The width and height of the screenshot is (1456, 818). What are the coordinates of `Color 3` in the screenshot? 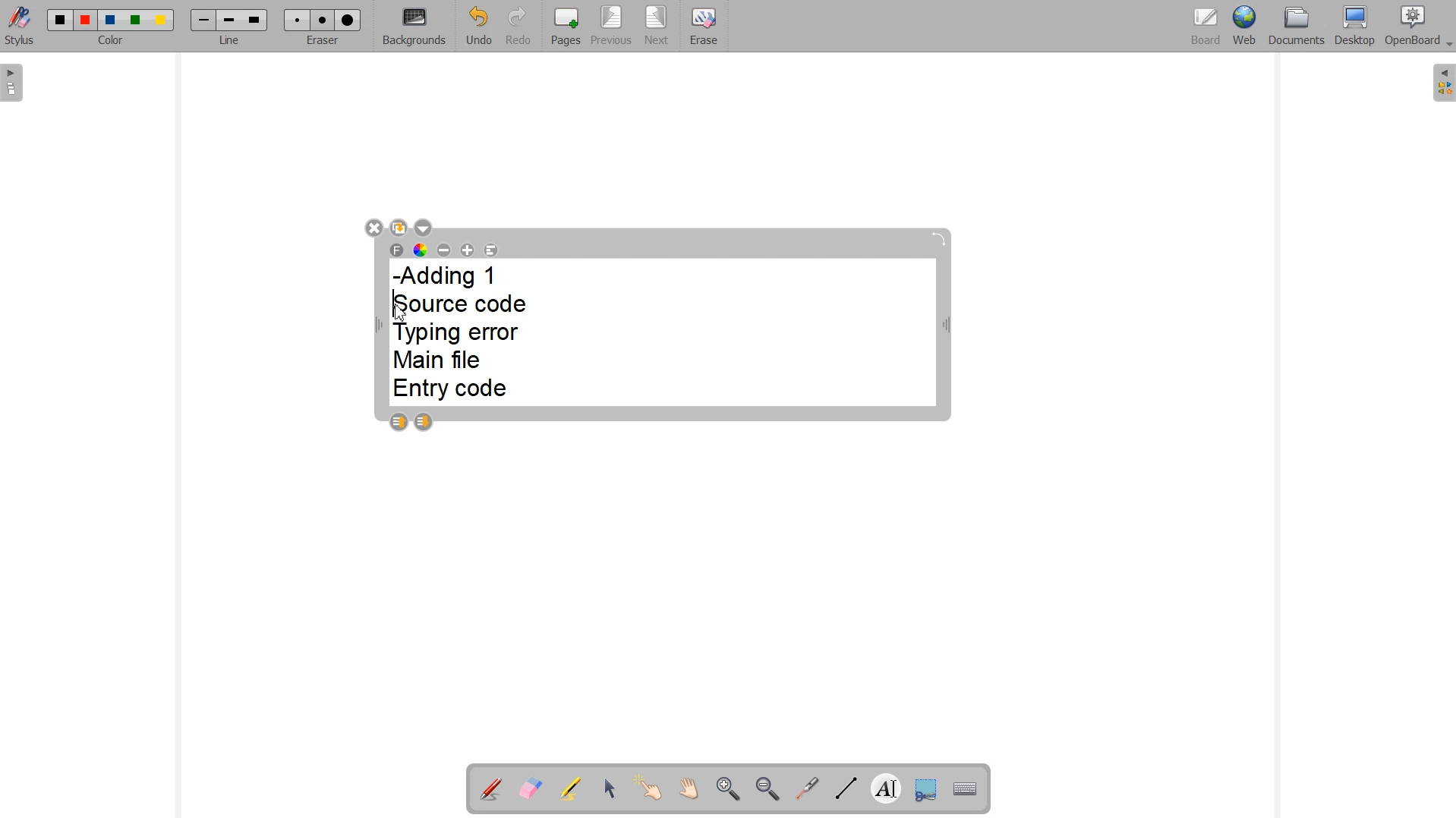 It's located at (110, 20).